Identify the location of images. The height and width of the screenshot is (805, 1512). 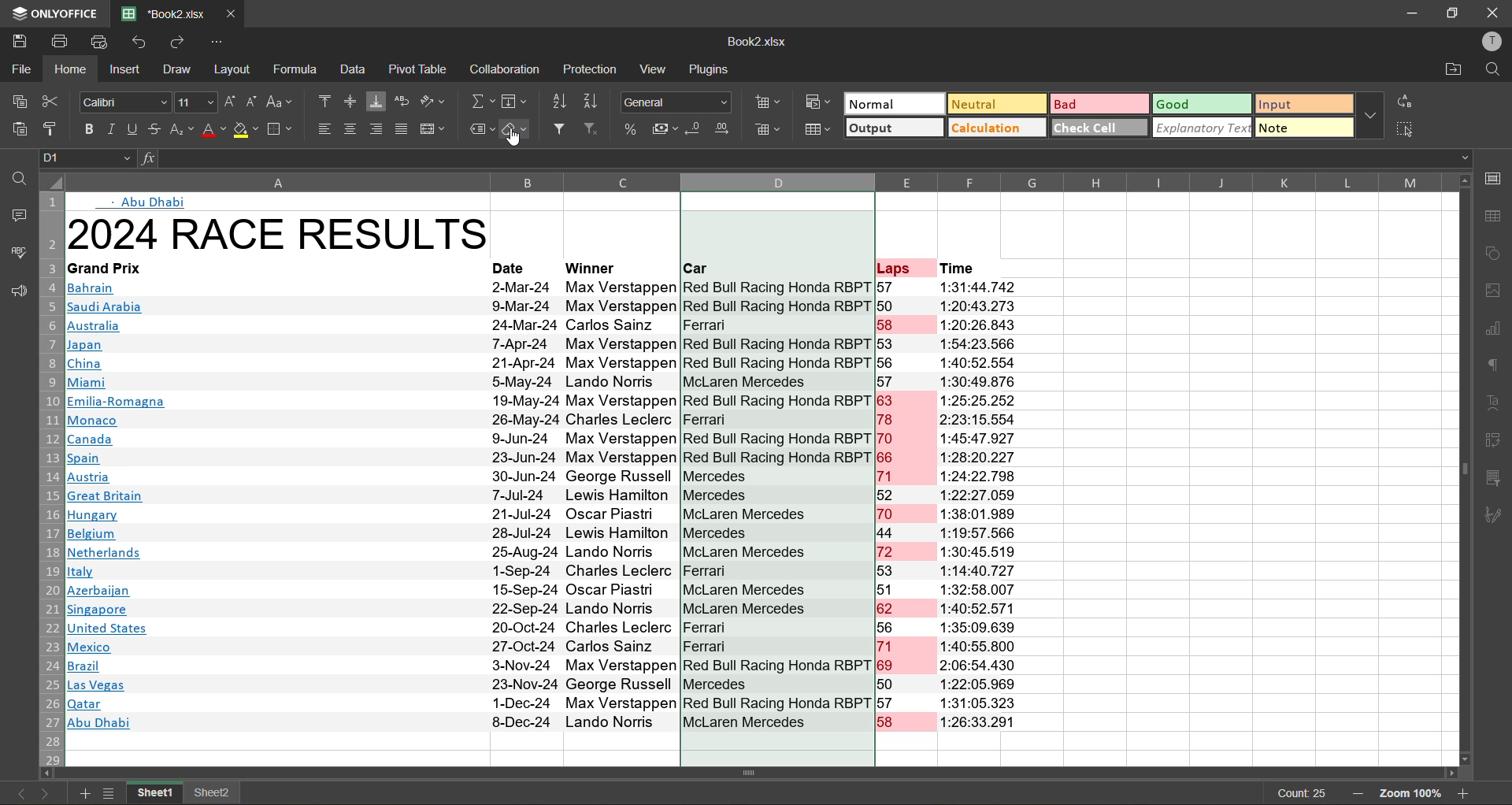
(1496, 293).